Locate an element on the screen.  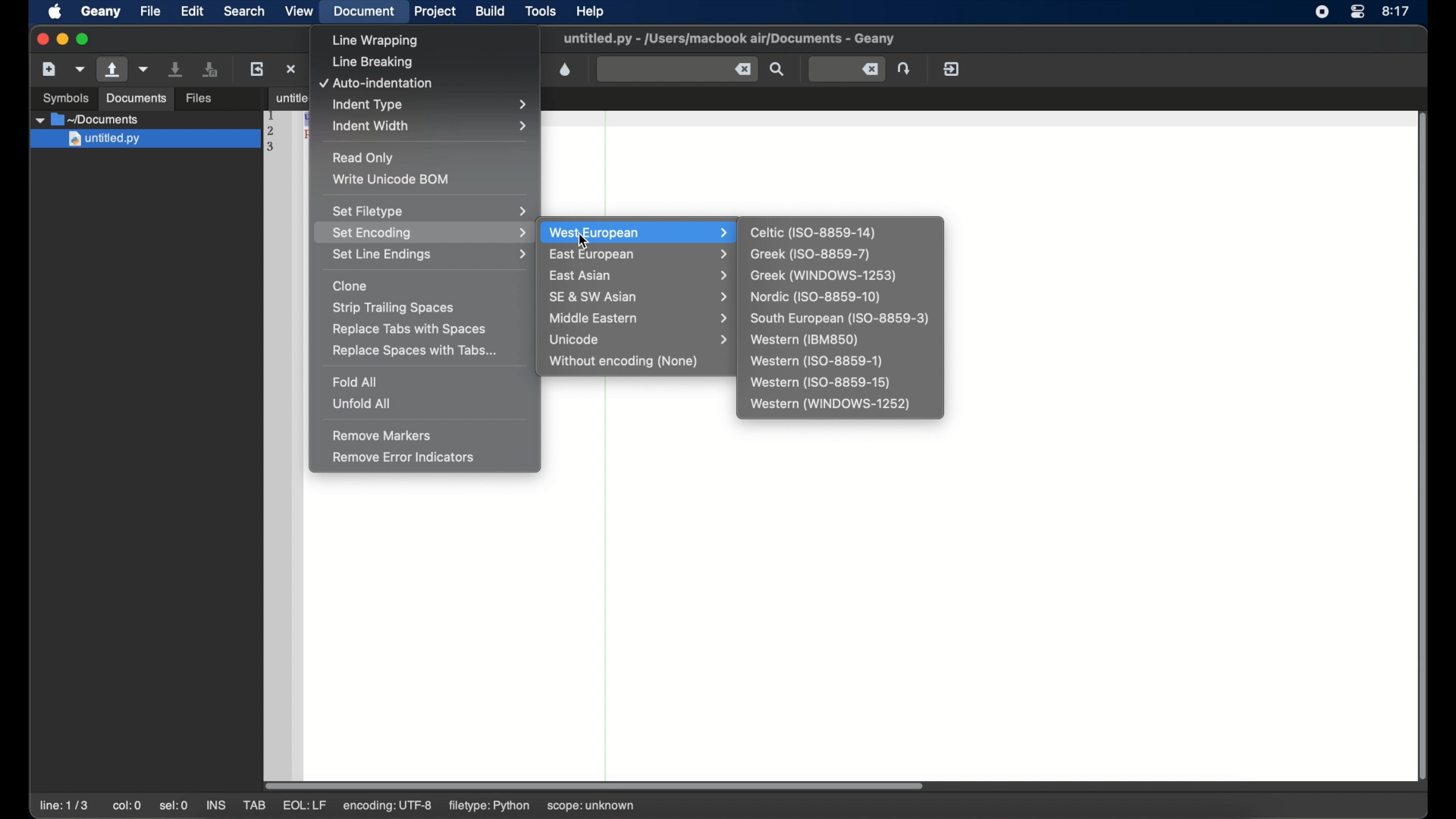
mod is located at coordinates (303, 806).